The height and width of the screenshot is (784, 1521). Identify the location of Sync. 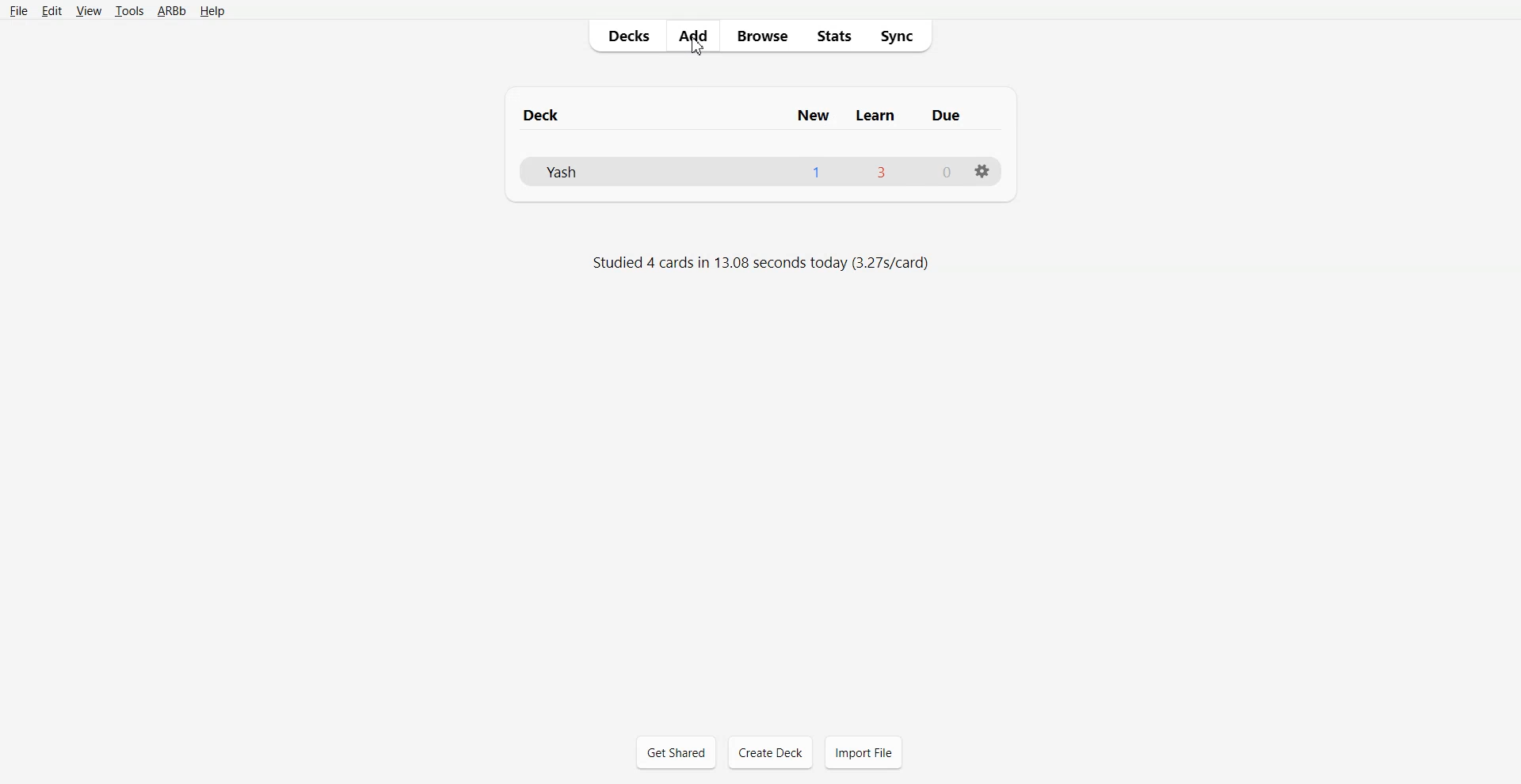
(901, 36).